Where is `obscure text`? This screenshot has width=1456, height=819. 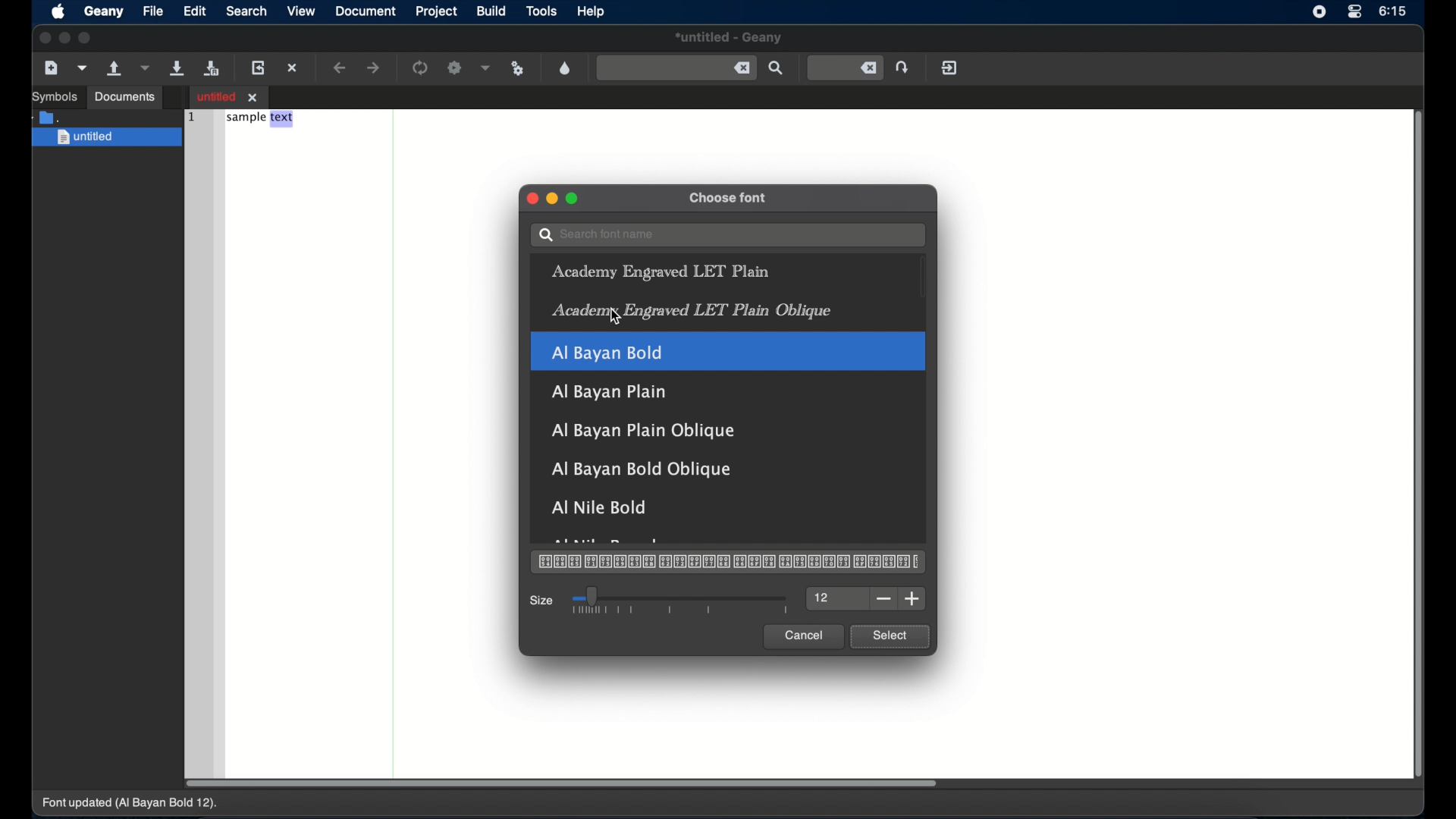
obscure text is located at coordinates (610, 540).